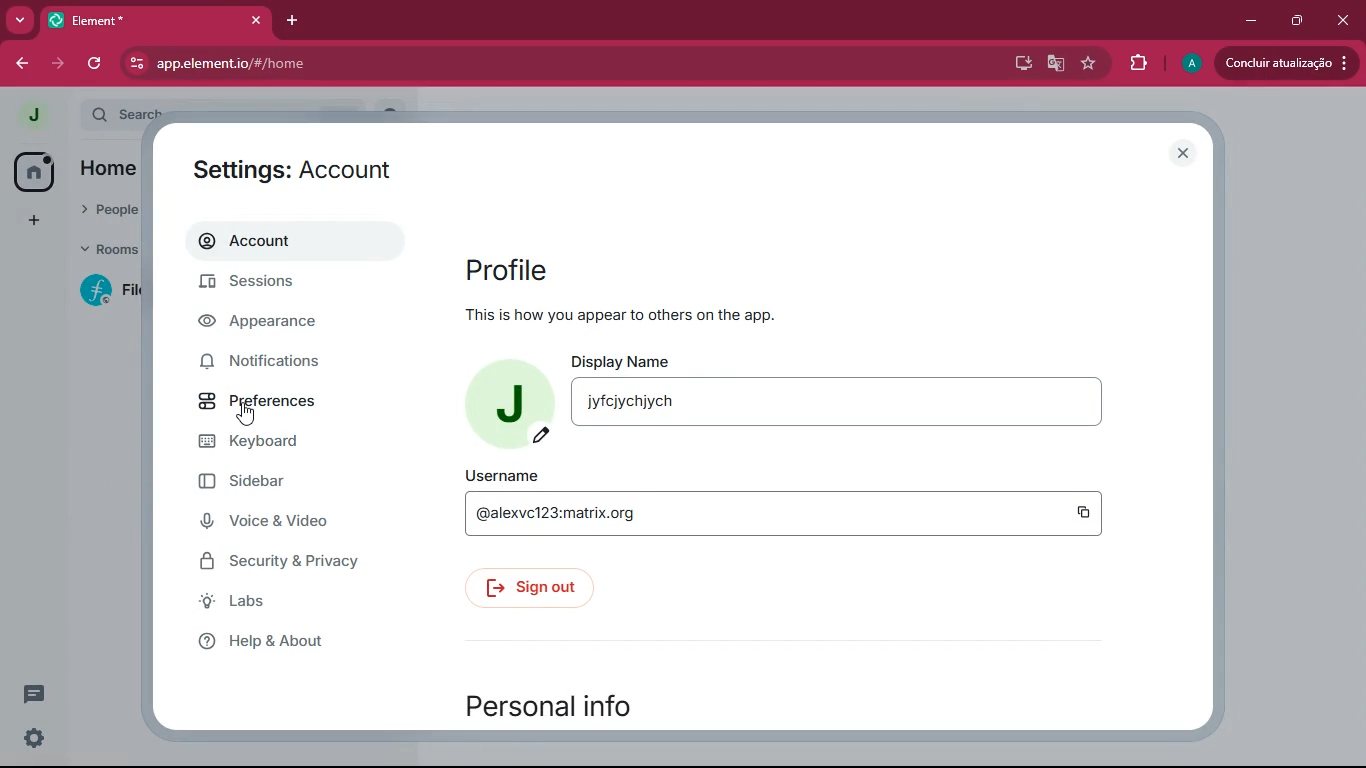 The image size is (1366, 768). I want to click on display name, so click(629, 361).